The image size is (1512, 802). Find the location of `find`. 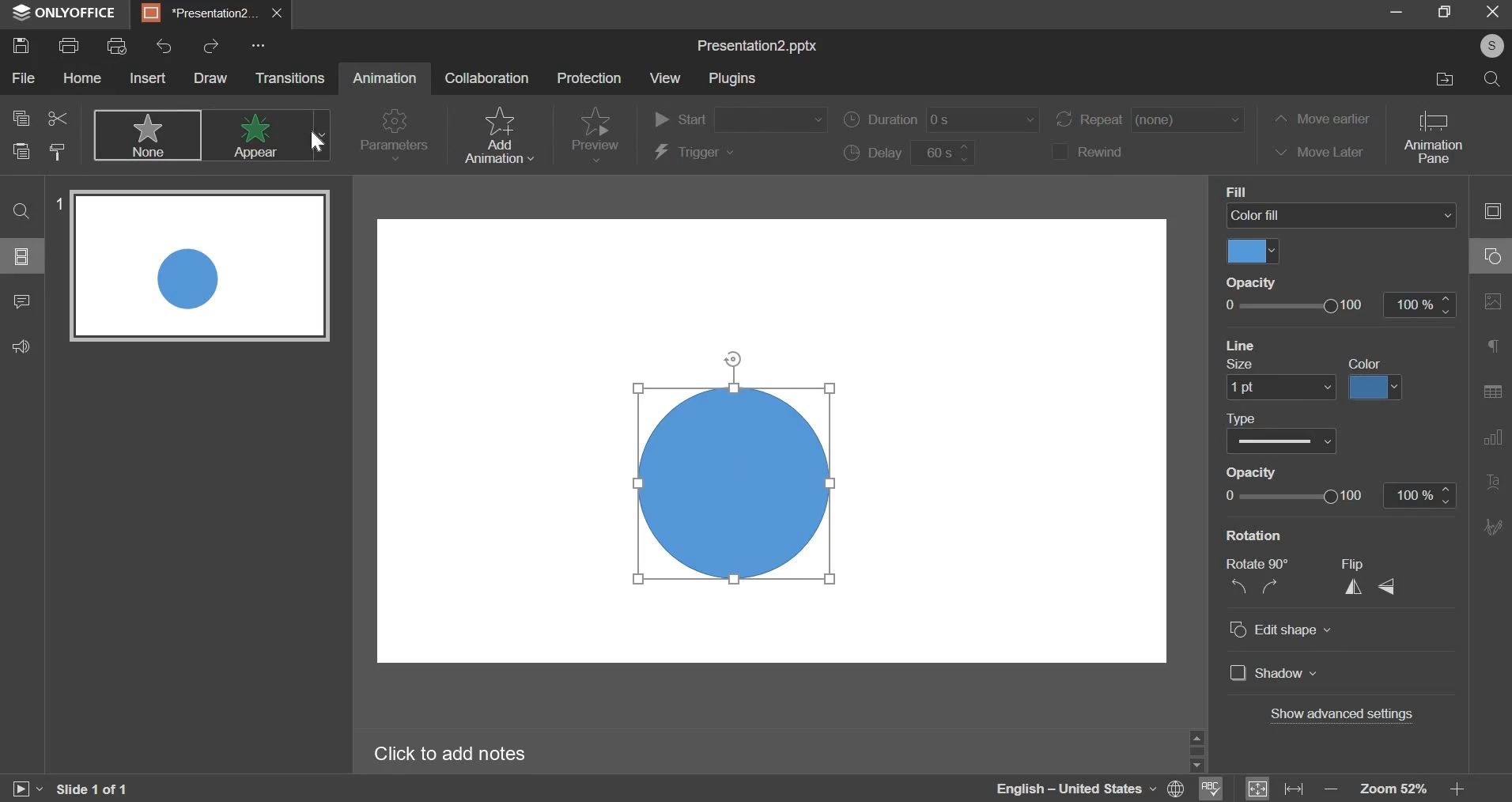

find is located at coordinates (20, 211).